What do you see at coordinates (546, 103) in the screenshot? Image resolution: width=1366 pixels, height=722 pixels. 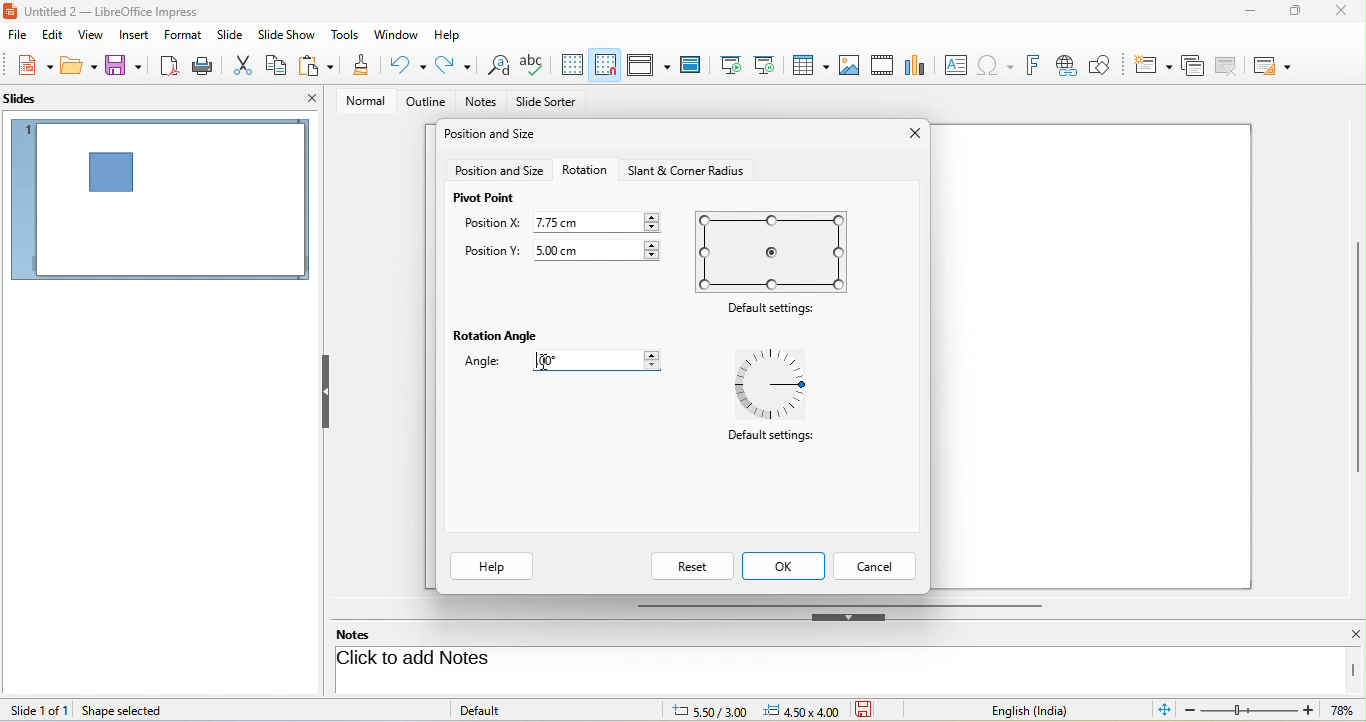 I see `slide sorter` at bounding box center [546, 103].